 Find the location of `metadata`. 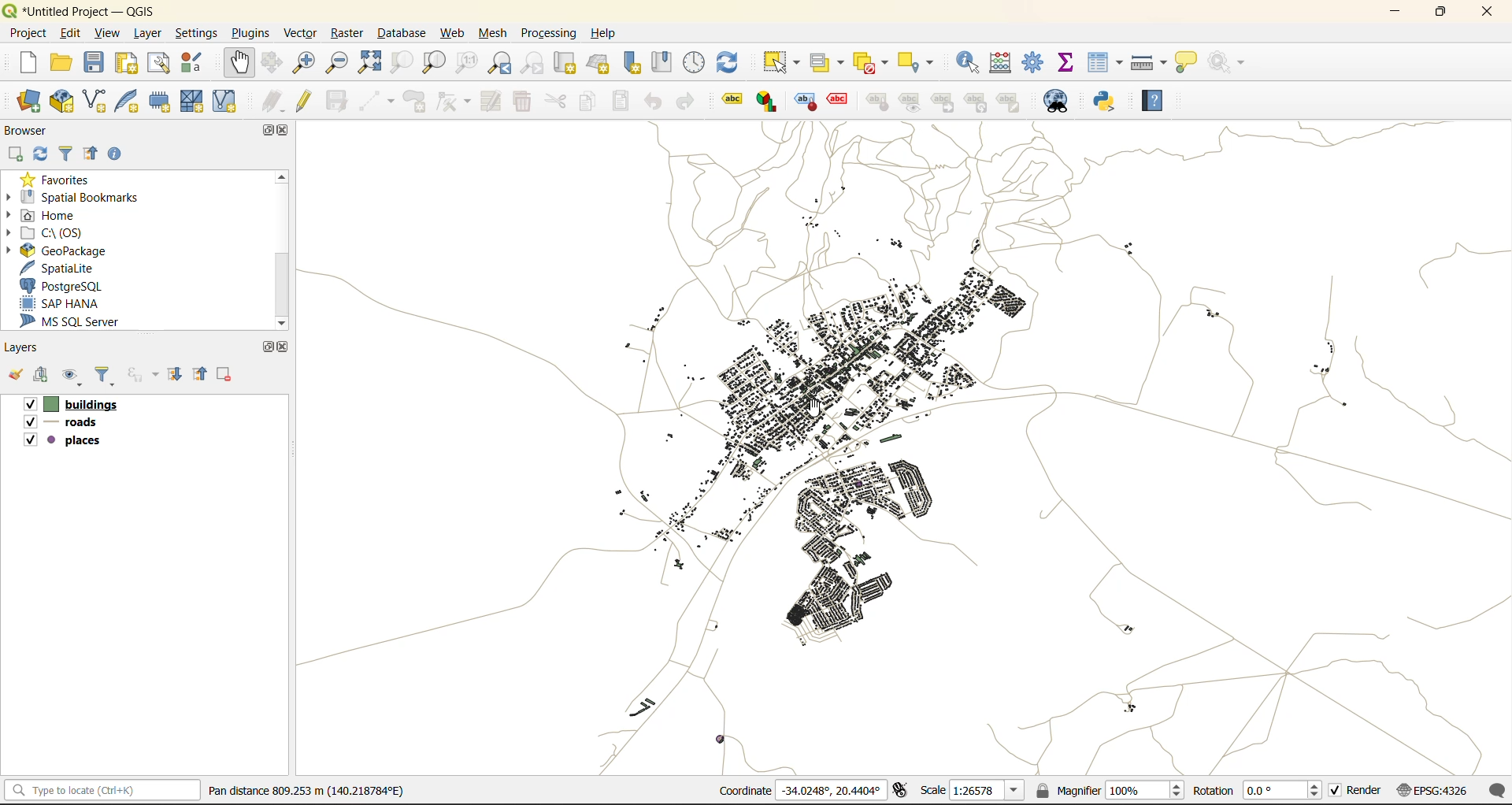

metadata is located at coordinates (303, 793).